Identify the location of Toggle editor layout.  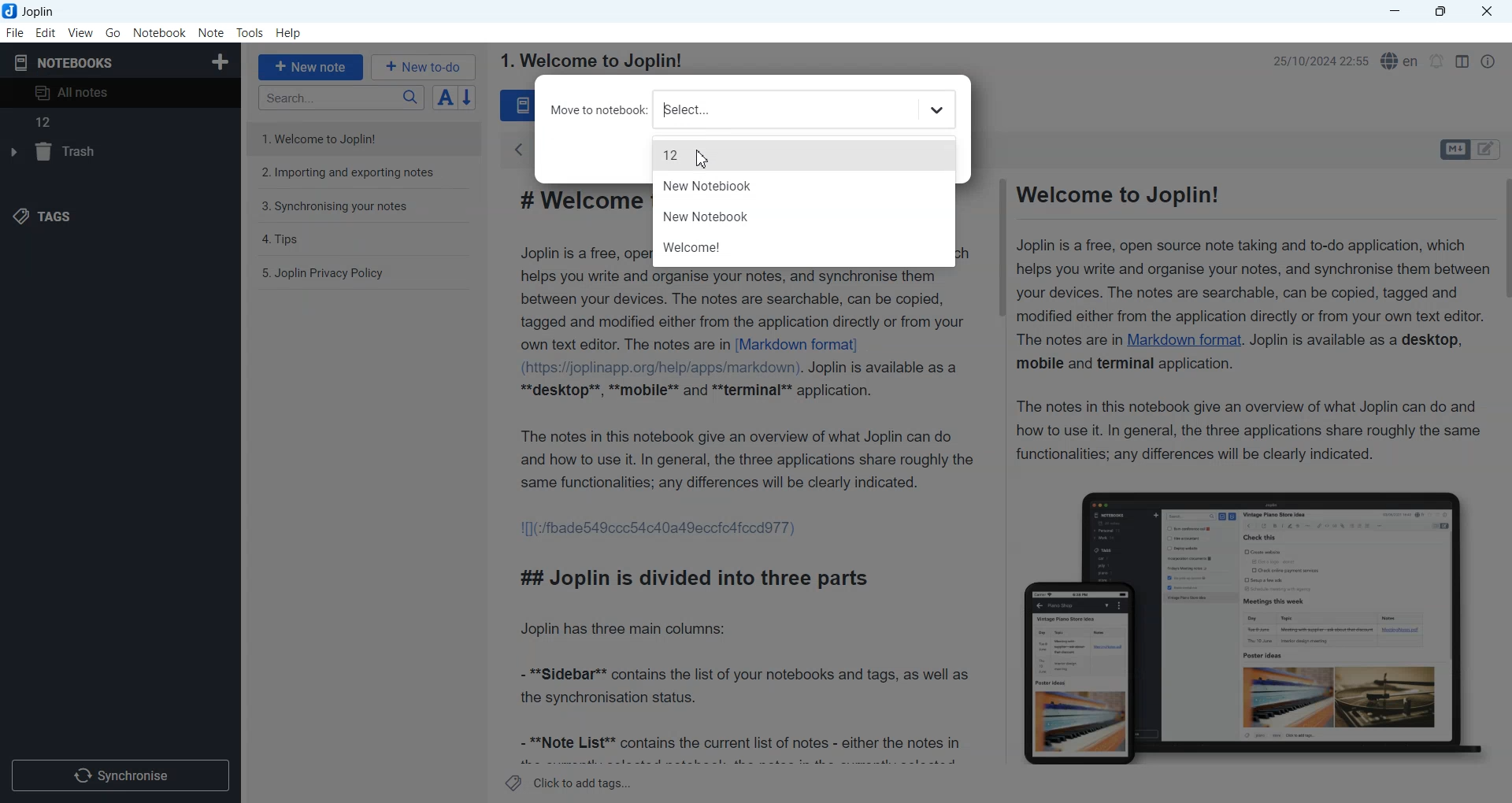
(1462, 61).